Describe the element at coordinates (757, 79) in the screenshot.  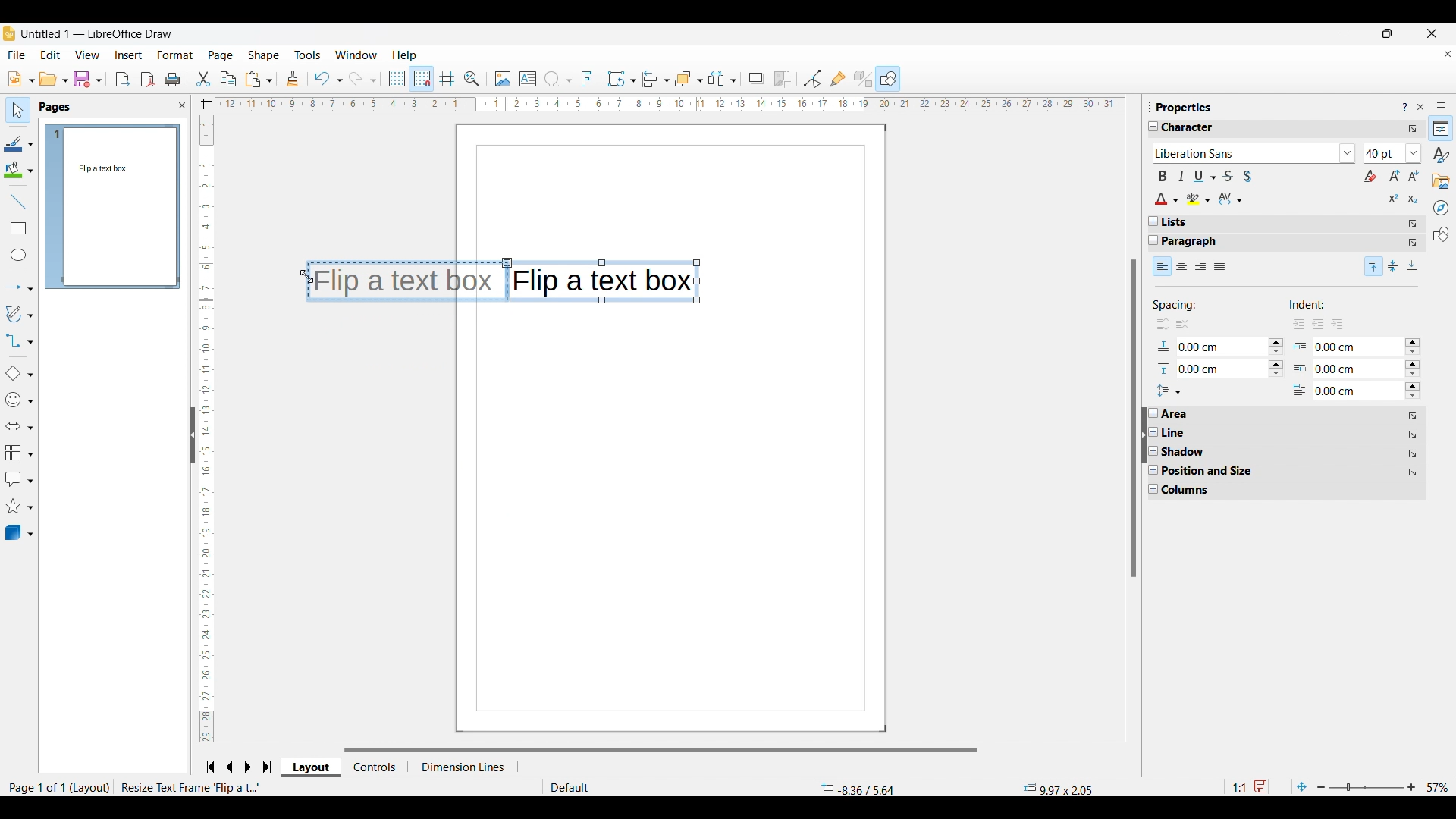
I see `Shadow` at that location.